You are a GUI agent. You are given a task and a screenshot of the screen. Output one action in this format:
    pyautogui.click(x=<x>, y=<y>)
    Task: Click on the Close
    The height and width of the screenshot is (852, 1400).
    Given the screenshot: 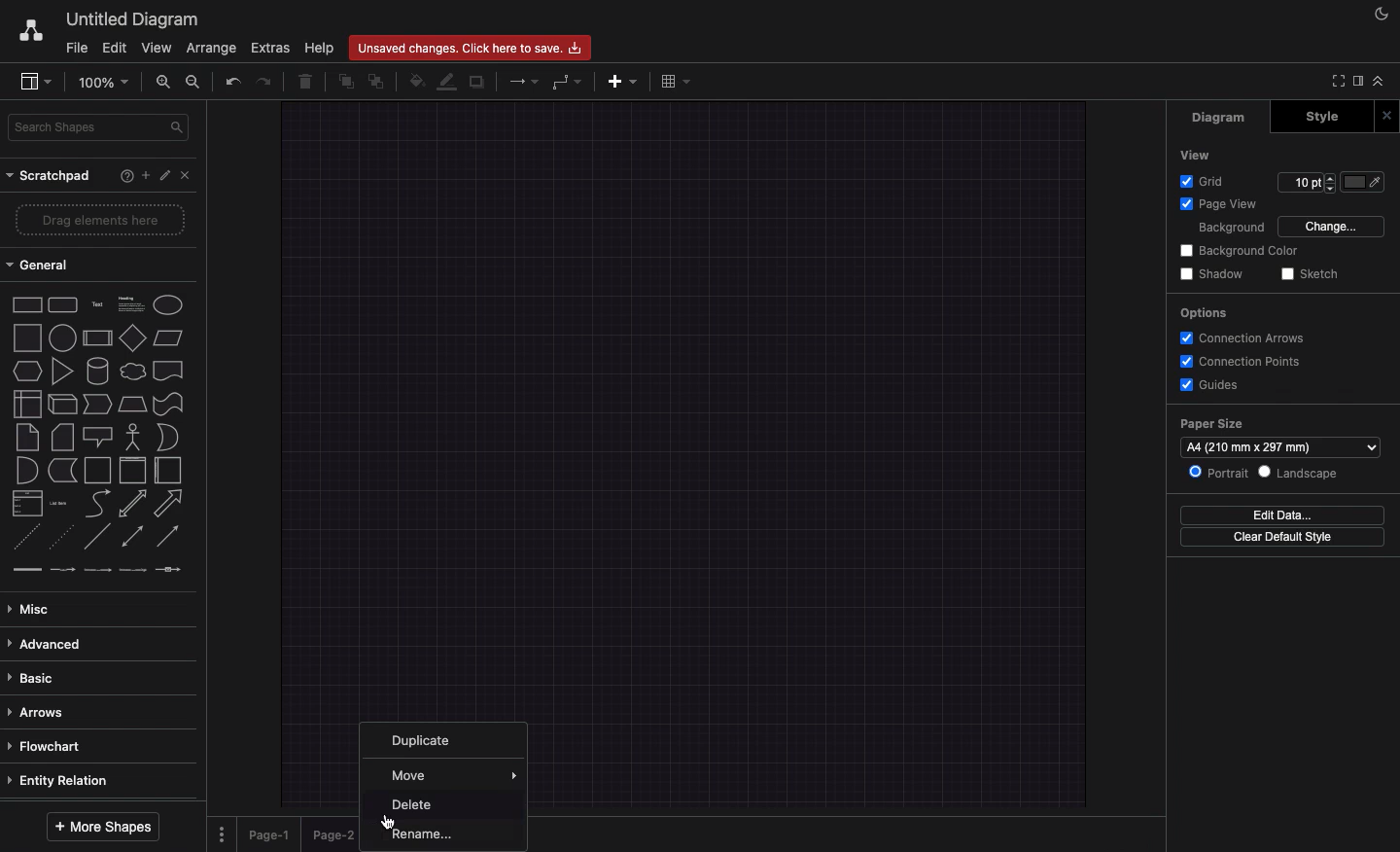 What is the action you would take?
    pyautogui.click(x=188, y=178)
    